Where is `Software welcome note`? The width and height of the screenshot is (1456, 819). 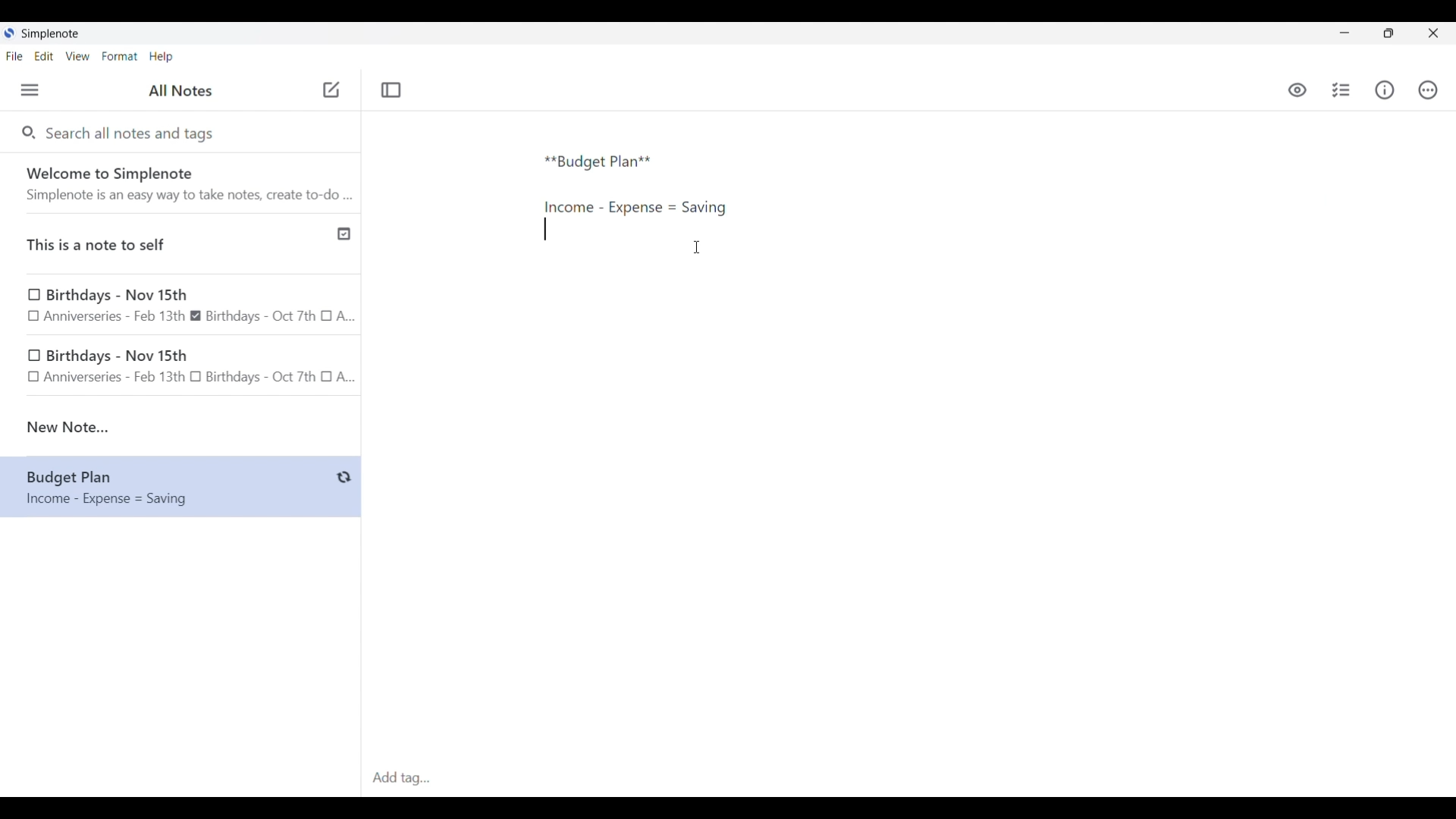 Software welcome note is located at coordinates (184, 183).